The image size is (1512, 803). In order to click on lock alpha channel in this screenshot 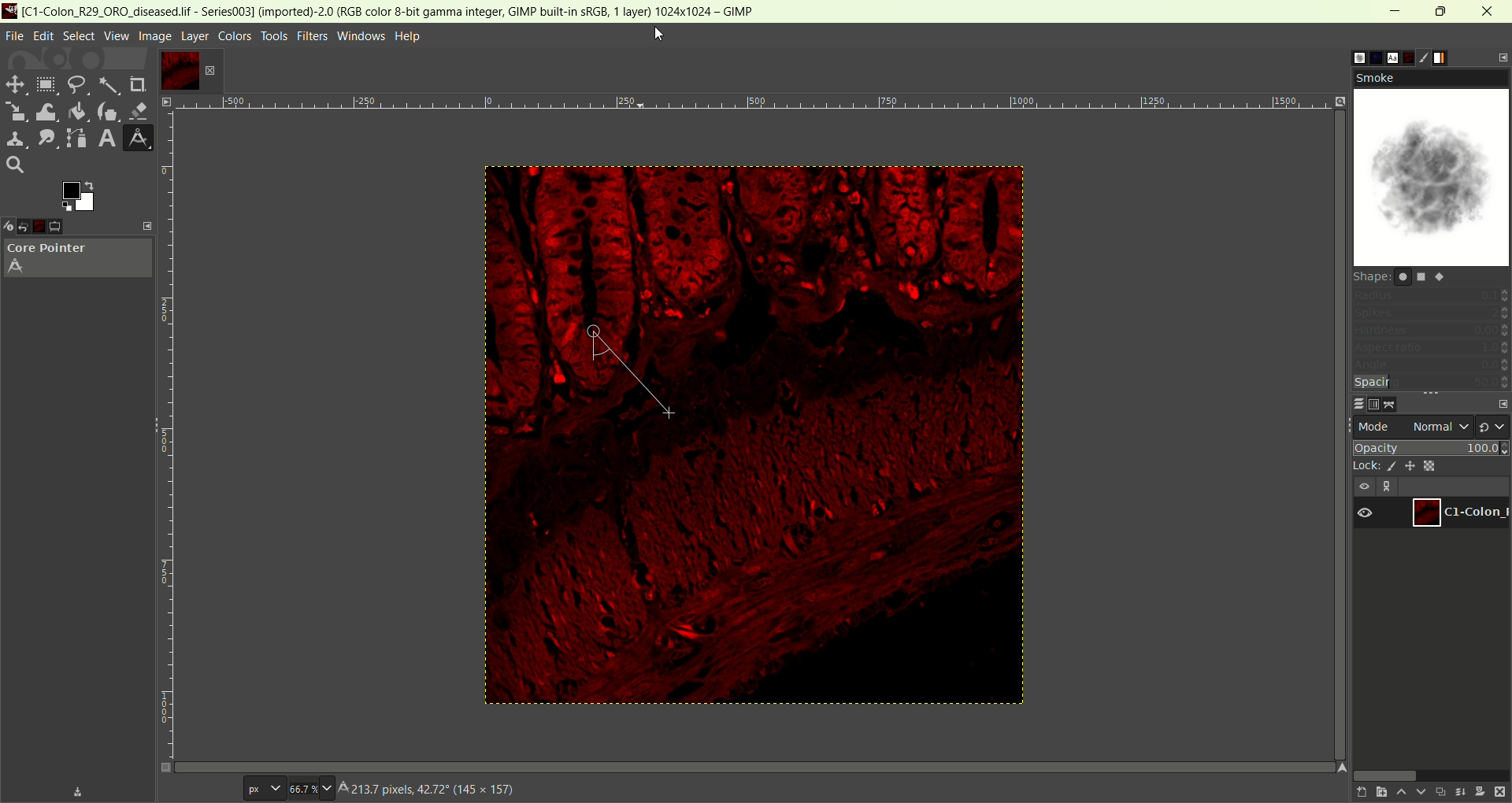, I will do `click(1429, 465)`.